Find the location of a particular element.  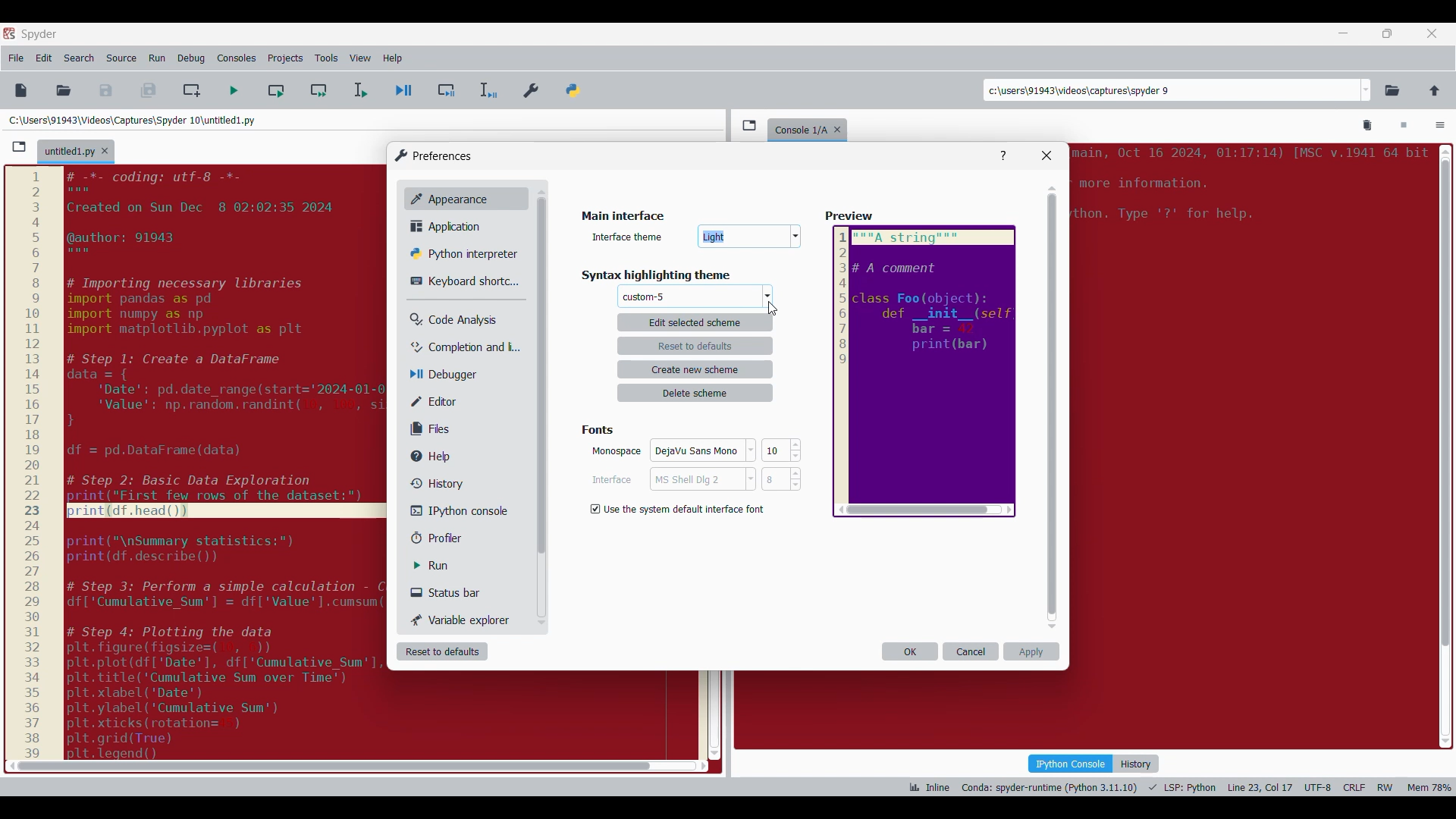

Setting options under Background is located at coordinates (681, 507).